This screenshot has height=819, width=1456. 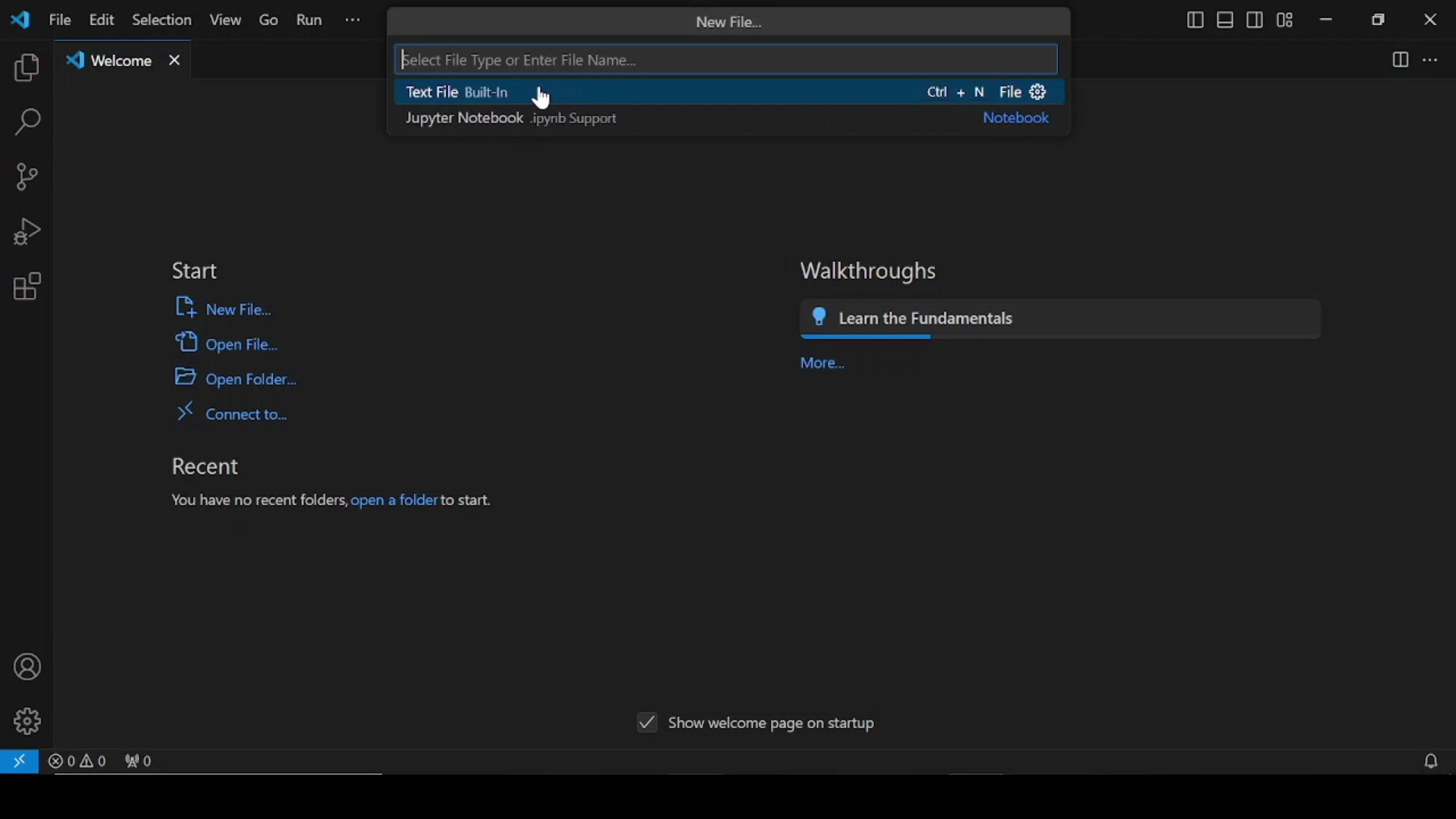 What do you see at coordinates (952, 90) in the screenshot?
I see `Ctl + N` at bounding box center [952, 90].